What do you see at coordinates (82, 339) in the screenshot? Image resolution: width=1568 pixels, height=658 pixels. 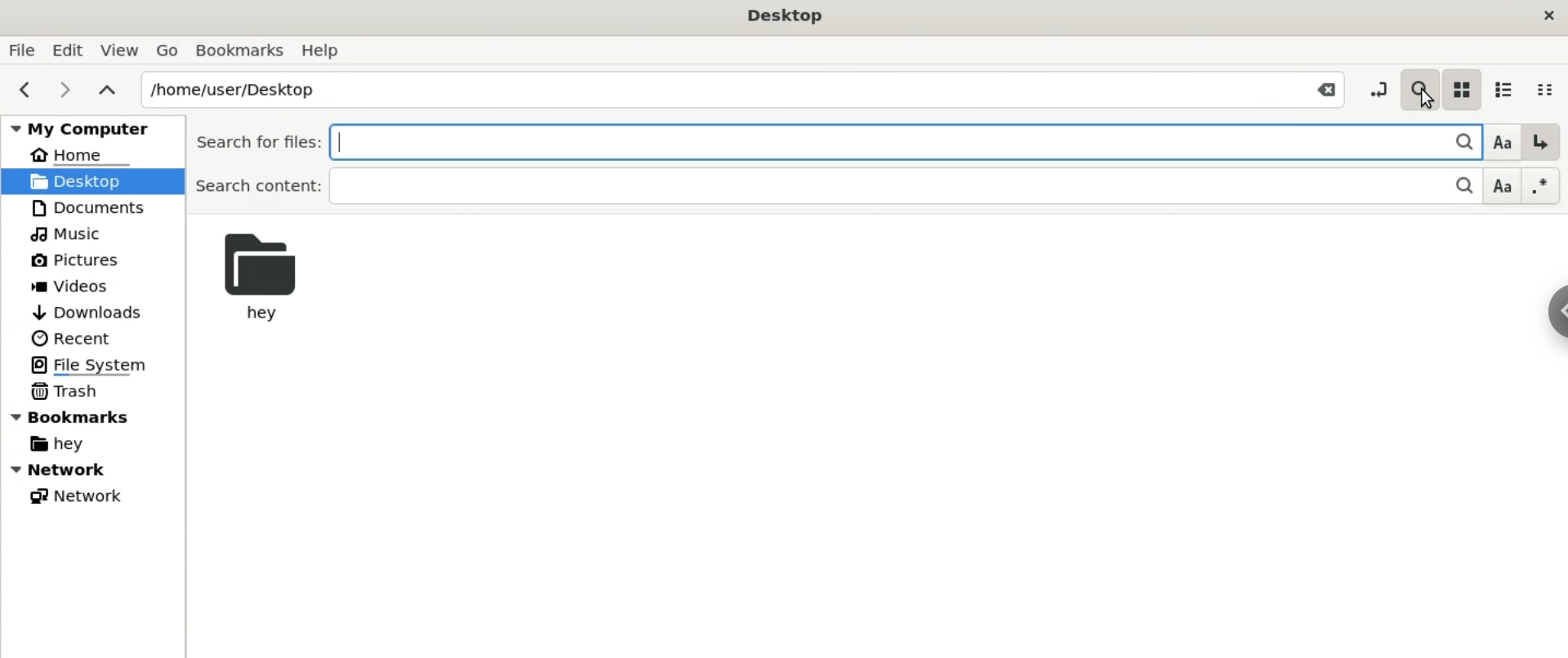 I see `Recent` at bounding box center [82, 339].